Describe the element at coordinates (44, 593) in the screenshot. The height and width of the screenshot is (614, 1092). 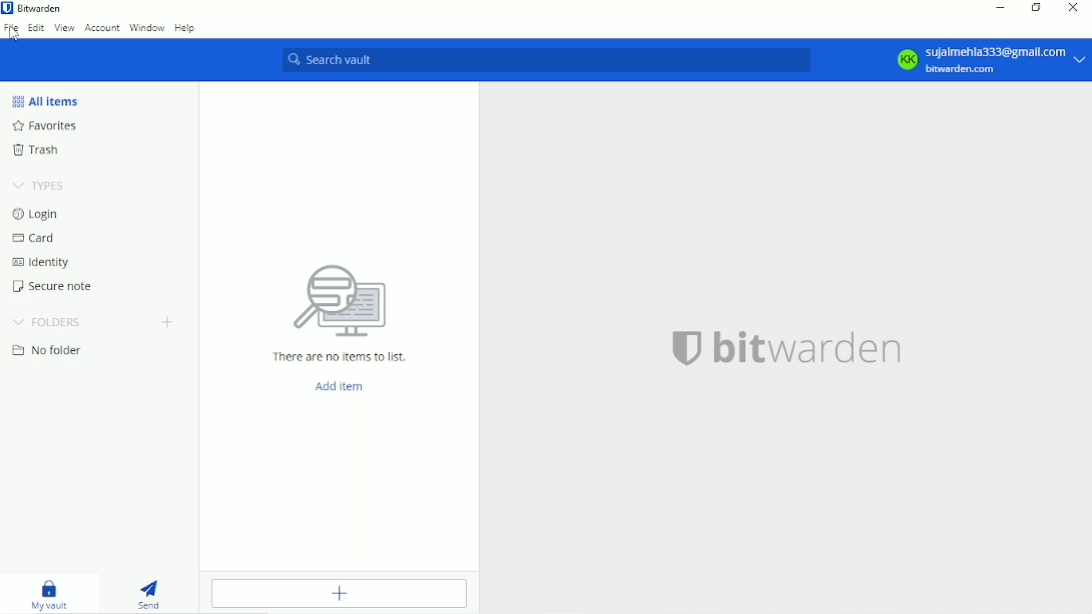
I see `My vault` at that location.